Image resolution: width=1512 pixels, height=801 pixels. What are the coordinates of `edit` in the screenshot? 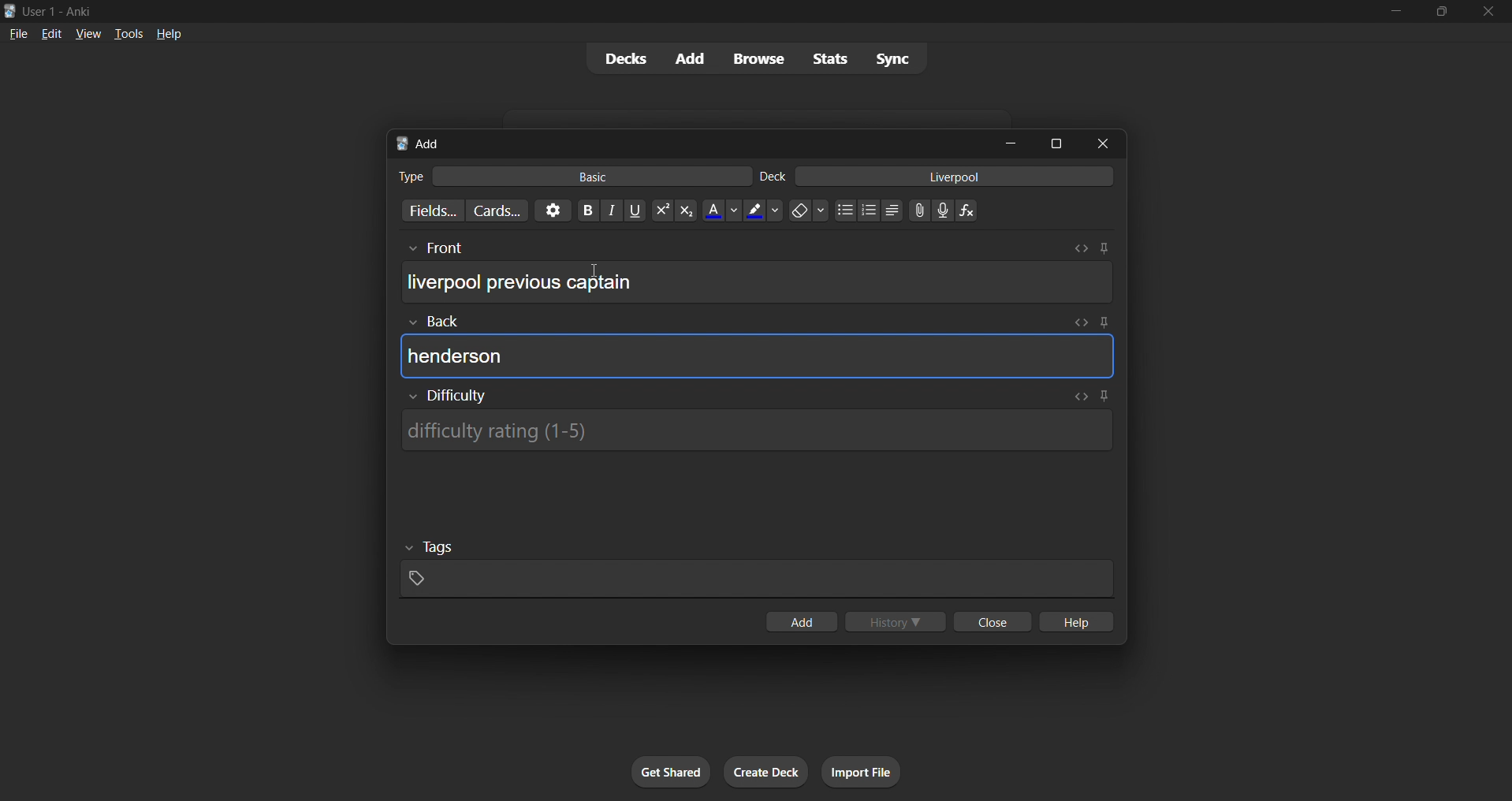 It's located at (47, 32).